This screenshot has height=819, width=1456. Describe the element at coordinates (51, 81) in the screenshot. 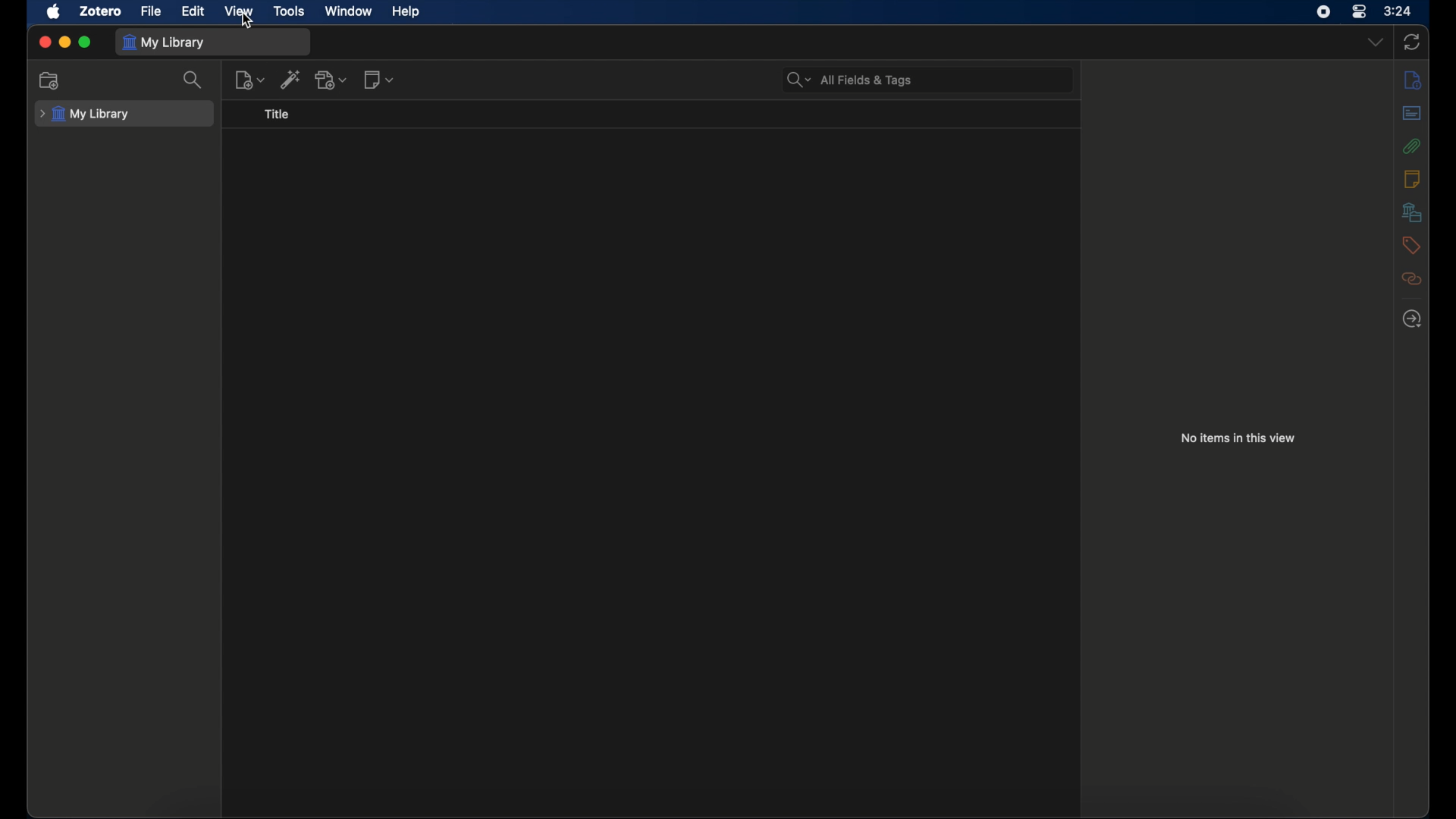

I see `new collection` at that location.